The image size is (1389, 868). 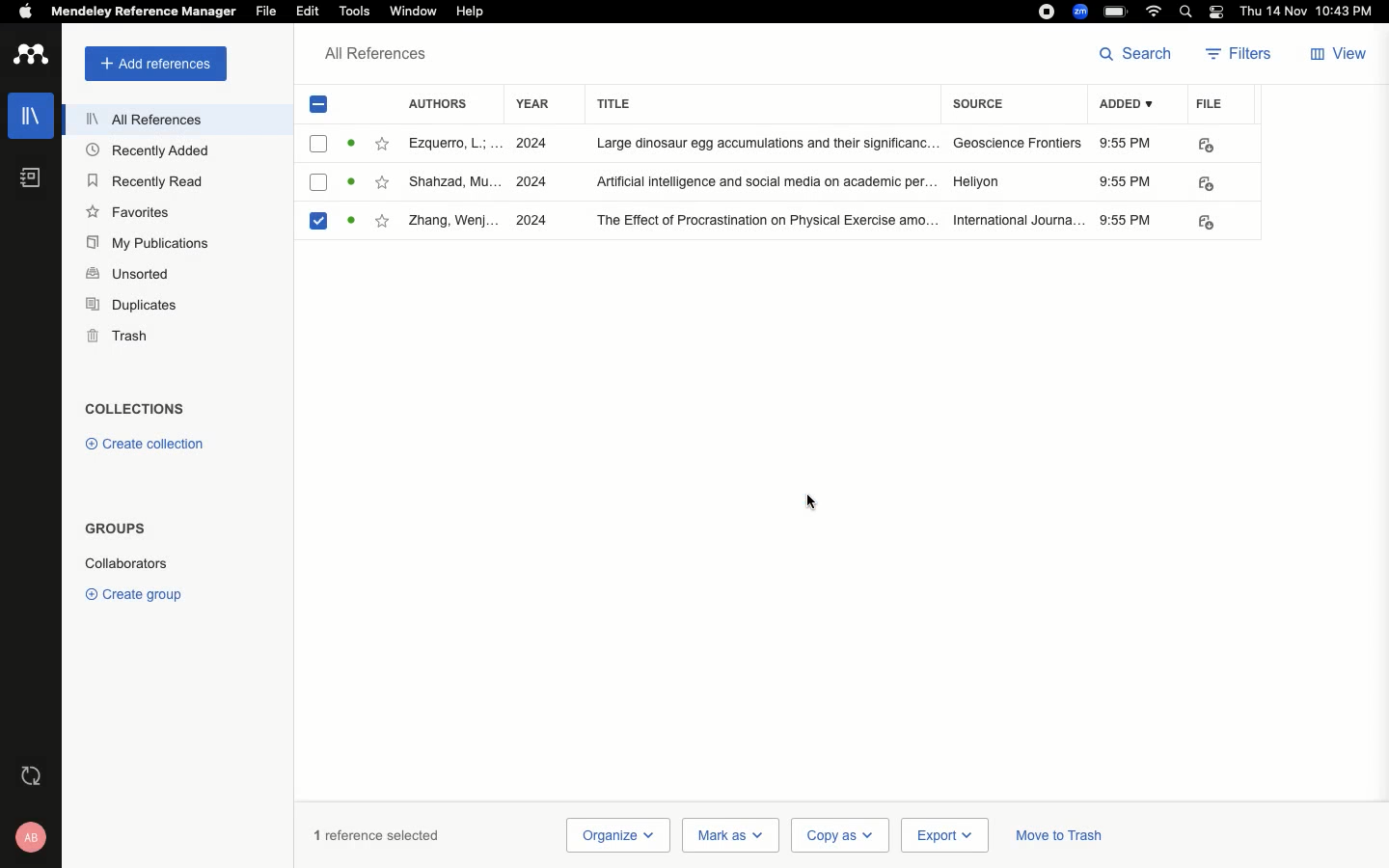 I want to click on Filters, so click(x=1240, y=56).